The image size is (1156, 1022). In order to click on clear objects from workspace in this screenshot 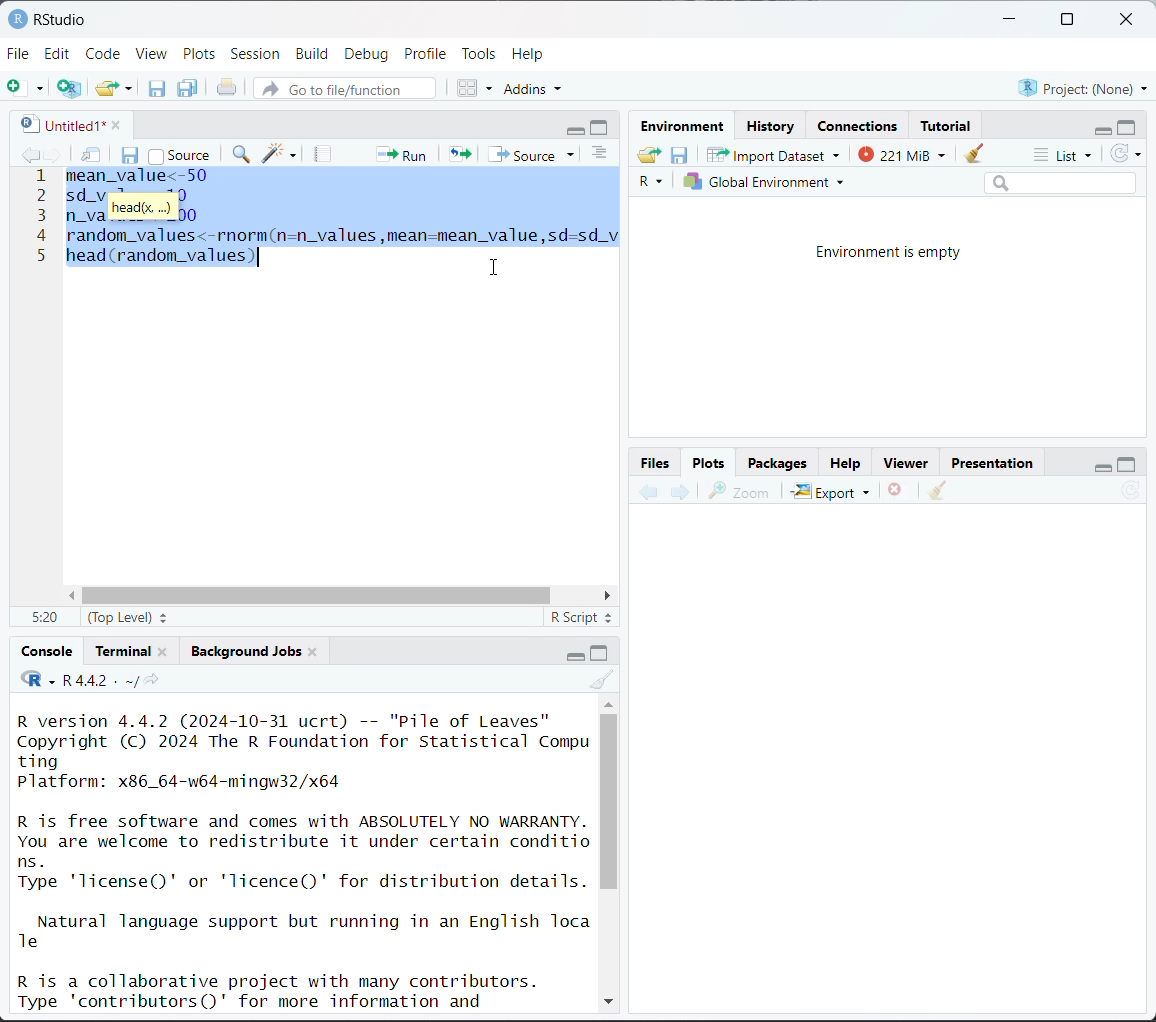, I will do `click(969, 150)`.